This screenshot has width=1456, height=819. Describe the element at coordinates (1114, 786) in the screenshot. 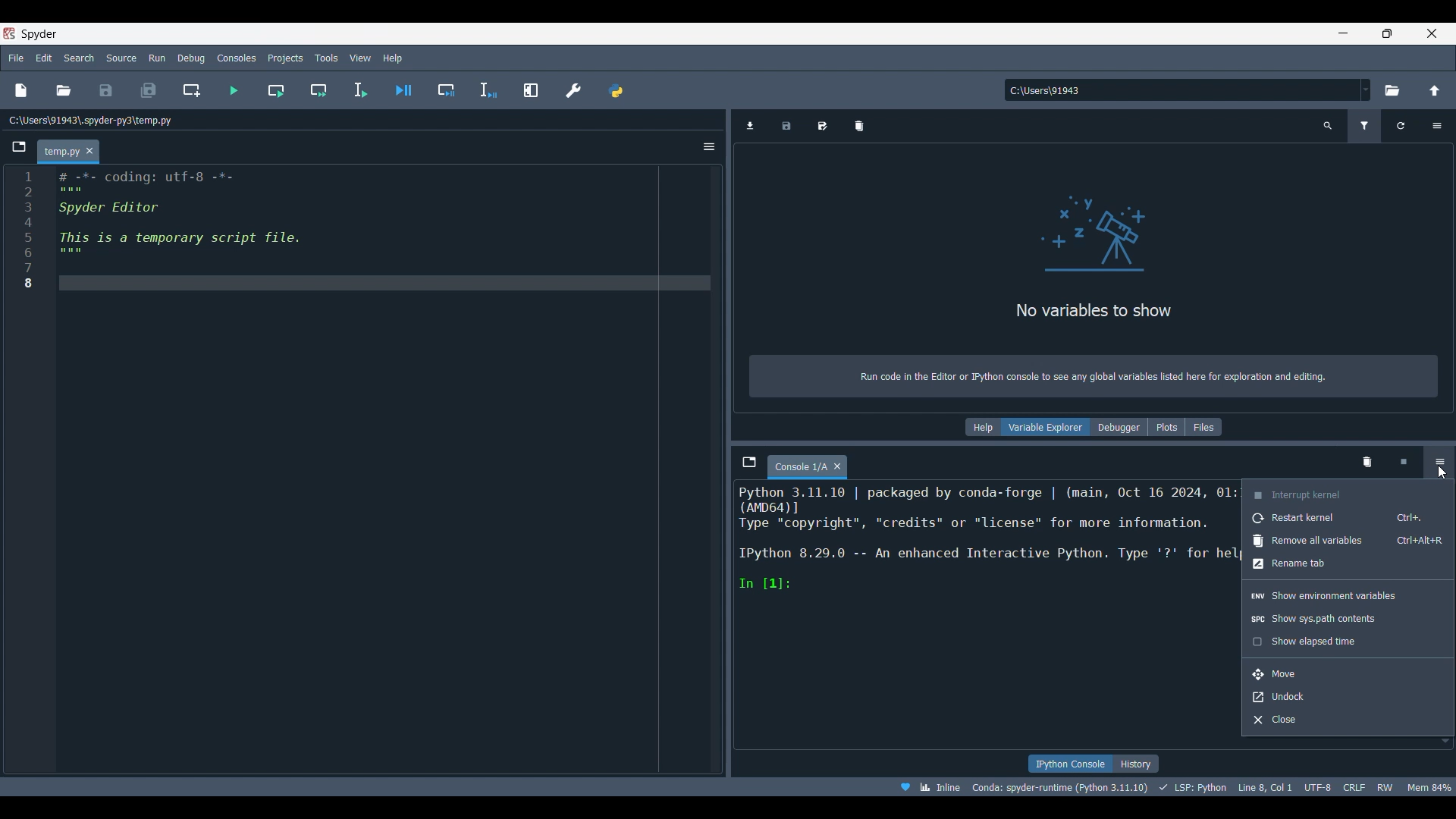

I see `® Wb Inline Conda: spyder-runtime (Python 3.11.10) + LSP: Python Line8,Col1 UTF8 CRL` at that location.